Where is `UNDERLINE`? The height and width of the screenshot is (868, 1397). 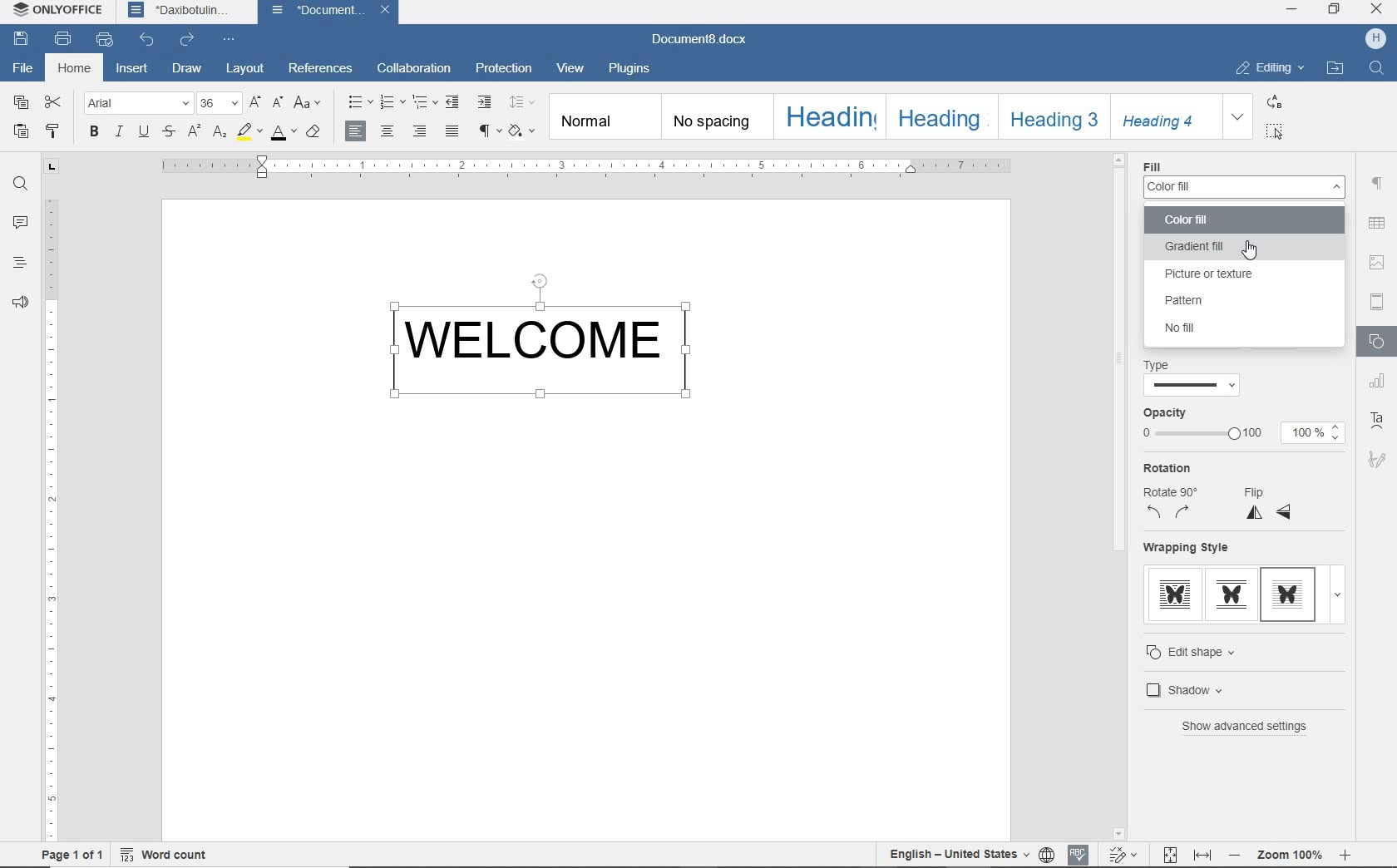 UNDERLINE is located at coordinates (146, 131).